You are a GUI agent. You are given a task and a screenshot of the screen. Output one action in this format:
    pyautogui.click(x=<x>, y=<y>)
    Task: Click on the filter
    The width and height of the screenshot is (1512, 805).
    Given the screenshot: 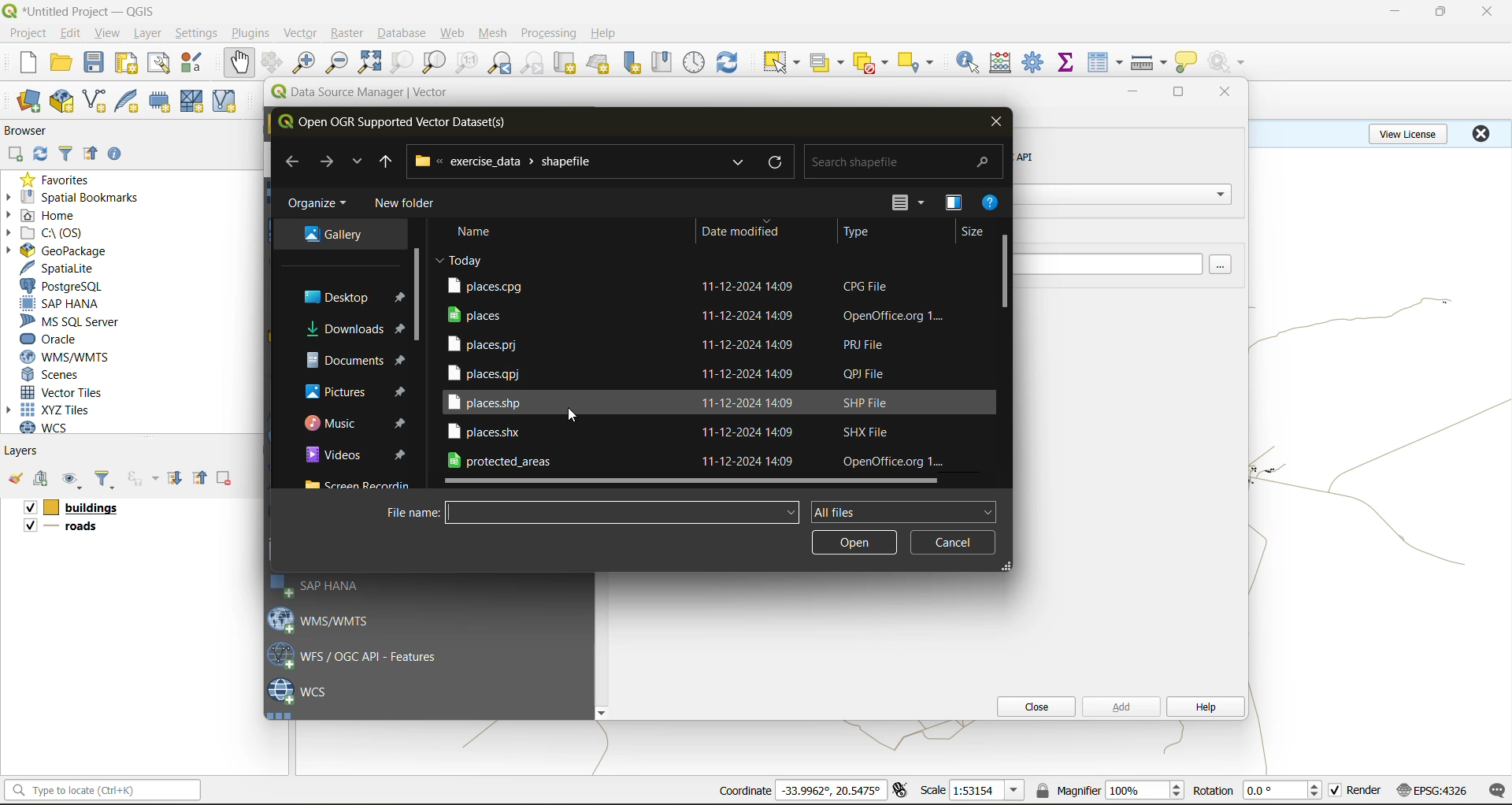 What is the action you would take?
    pyautogui.click(x=105, y=480)
    